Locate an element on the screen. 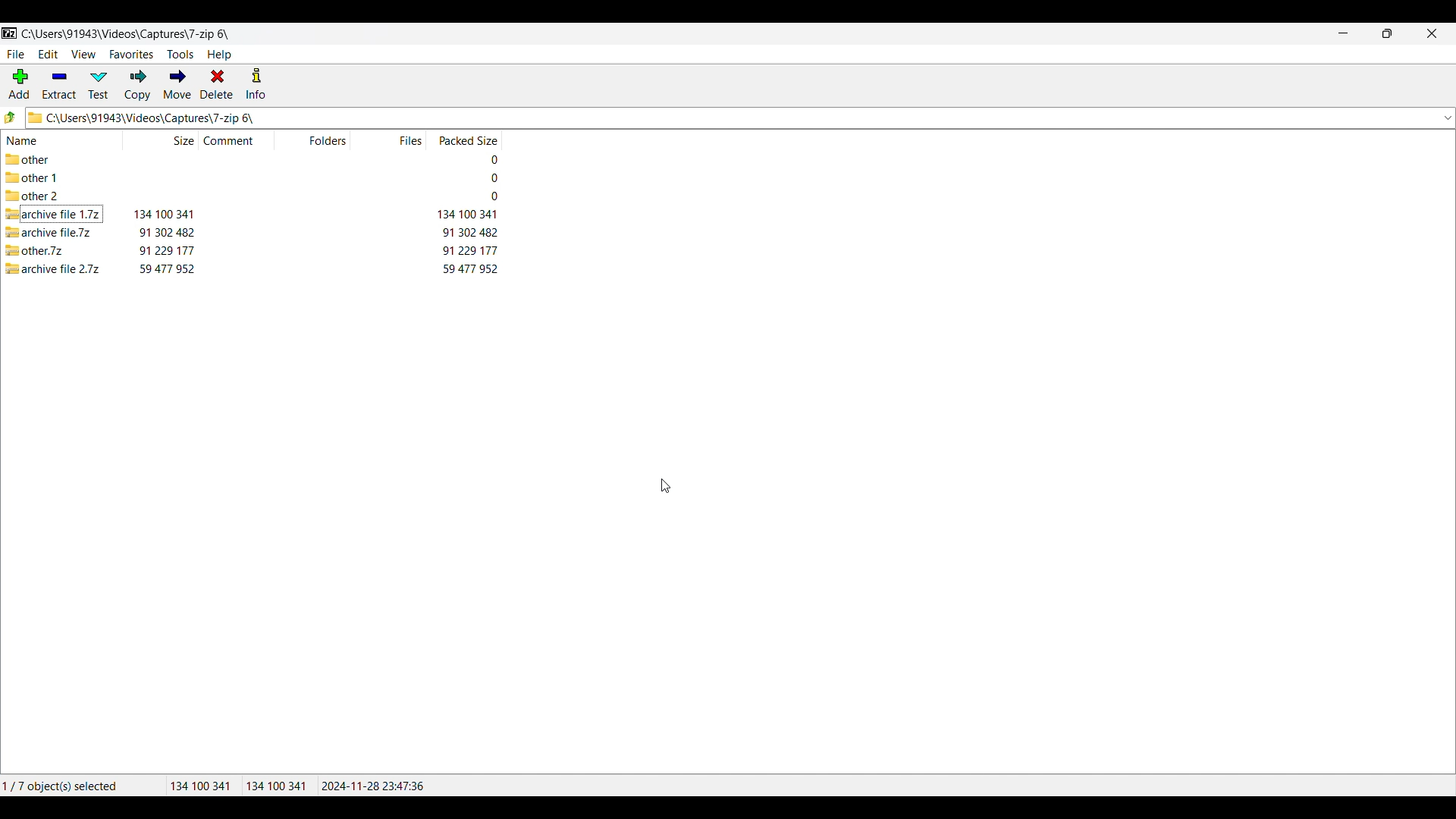  packed size is located at coordinates (469, 269).